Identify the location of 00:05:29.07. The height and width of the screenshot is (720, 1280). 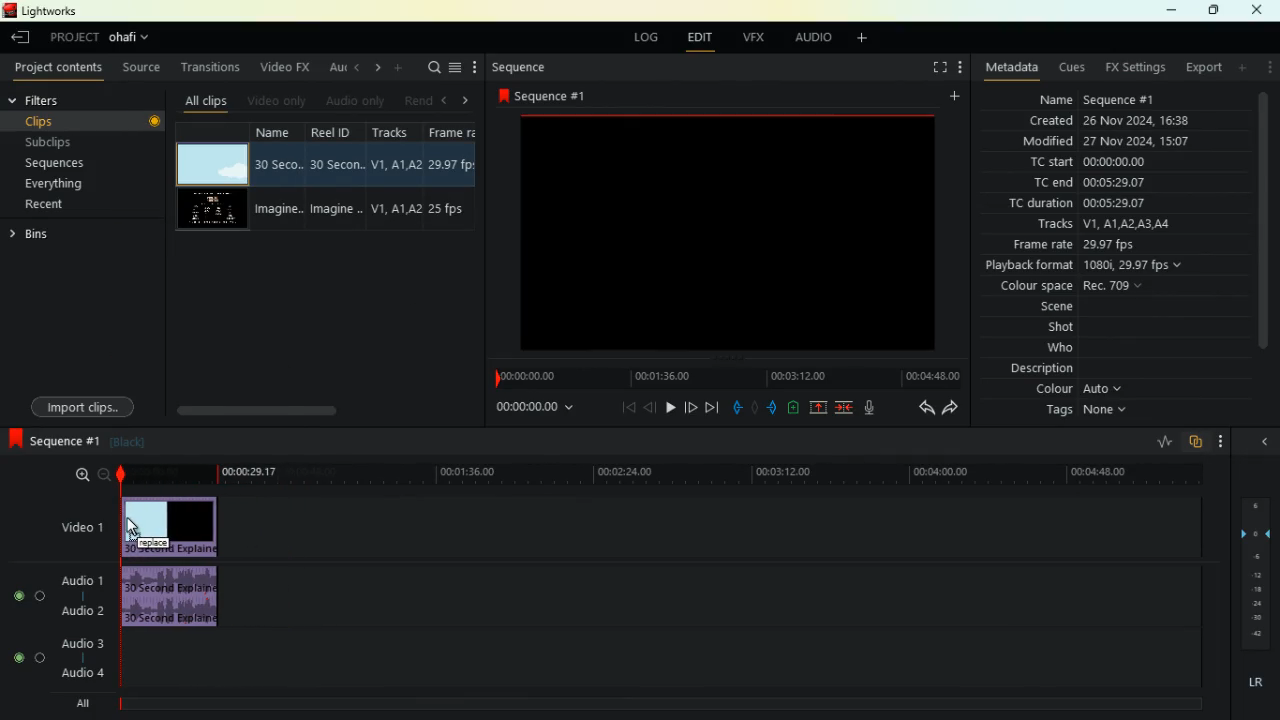
(1114, 182).